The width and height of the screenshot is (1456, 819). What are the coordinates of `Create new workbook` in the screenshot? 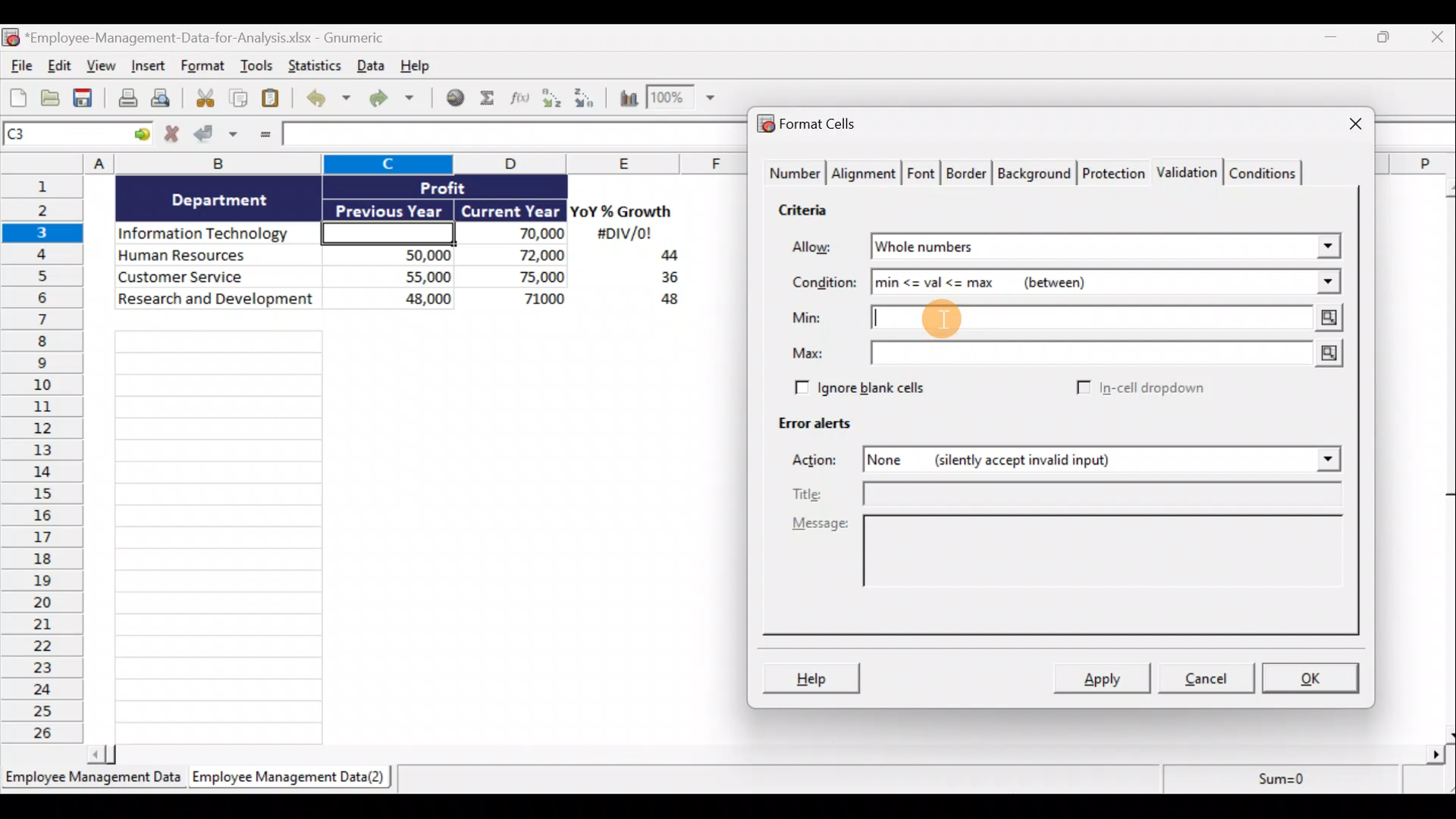 It's located at (18, 97).